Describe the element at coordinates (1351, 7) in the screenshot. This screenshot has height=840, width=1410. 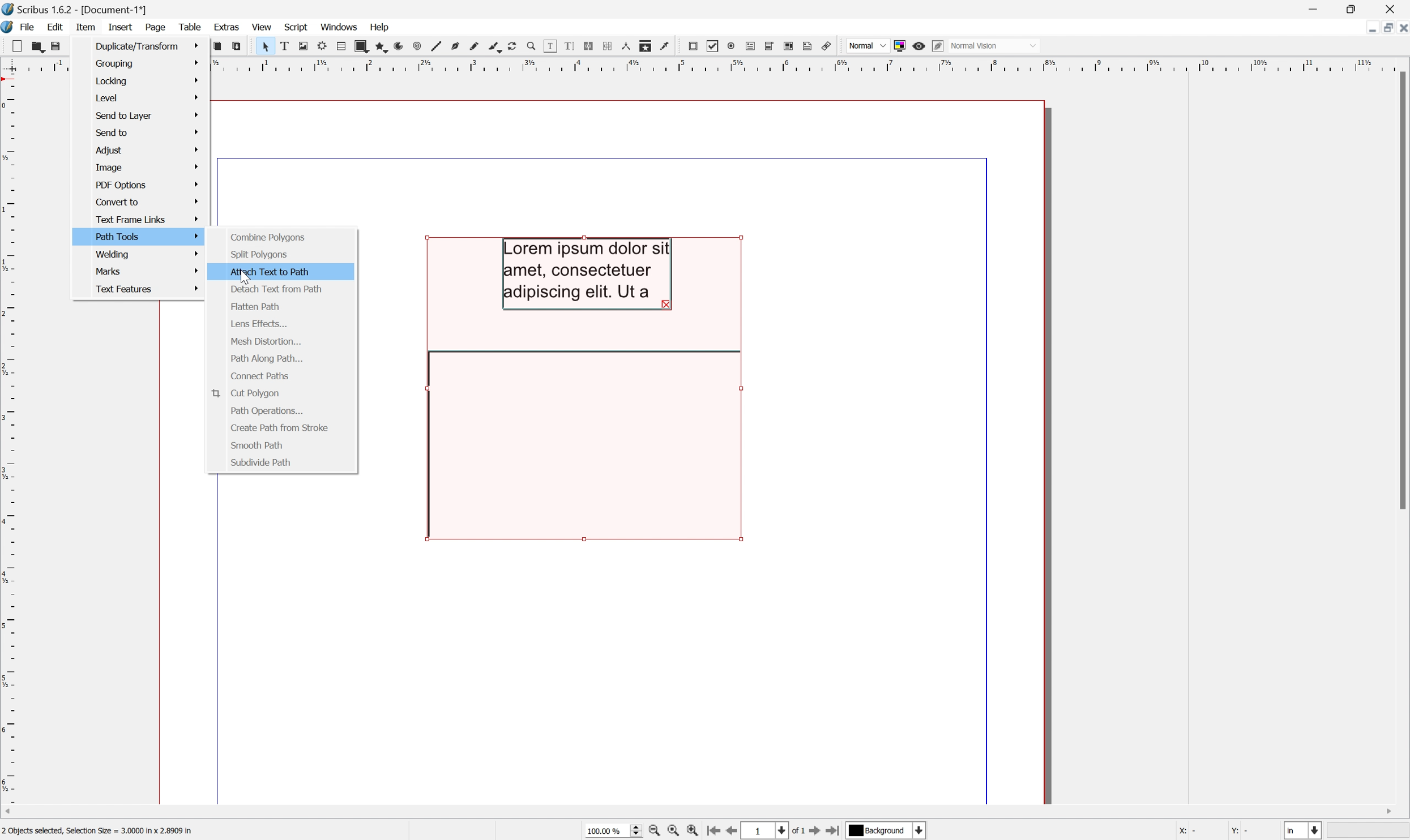
I see `Restore Down` at that location.